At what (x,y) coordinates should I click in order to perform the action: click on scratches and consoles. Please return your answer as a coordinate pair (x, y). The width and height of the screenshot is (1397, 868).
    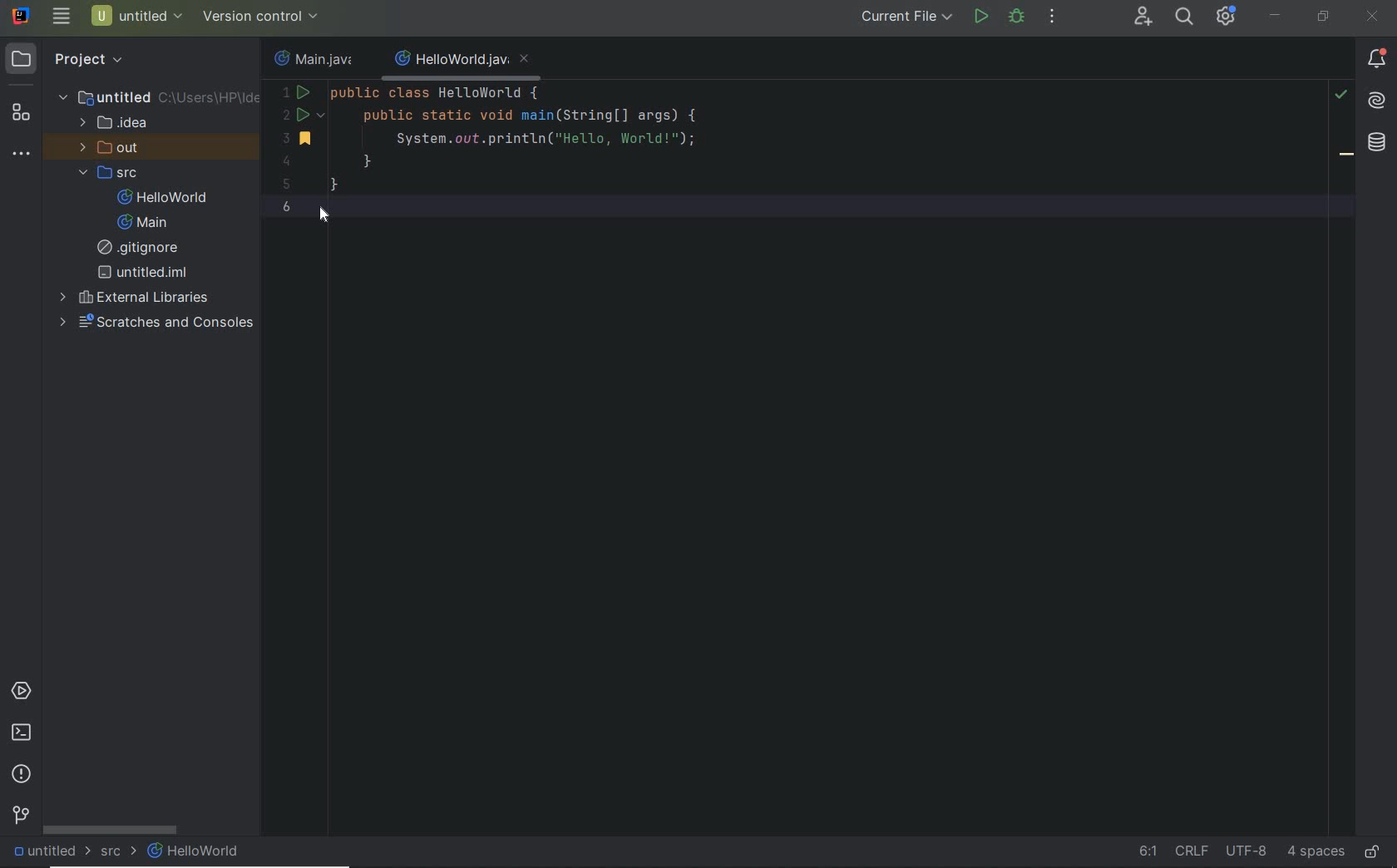
    Looking at the image, I should click on (157, 323).